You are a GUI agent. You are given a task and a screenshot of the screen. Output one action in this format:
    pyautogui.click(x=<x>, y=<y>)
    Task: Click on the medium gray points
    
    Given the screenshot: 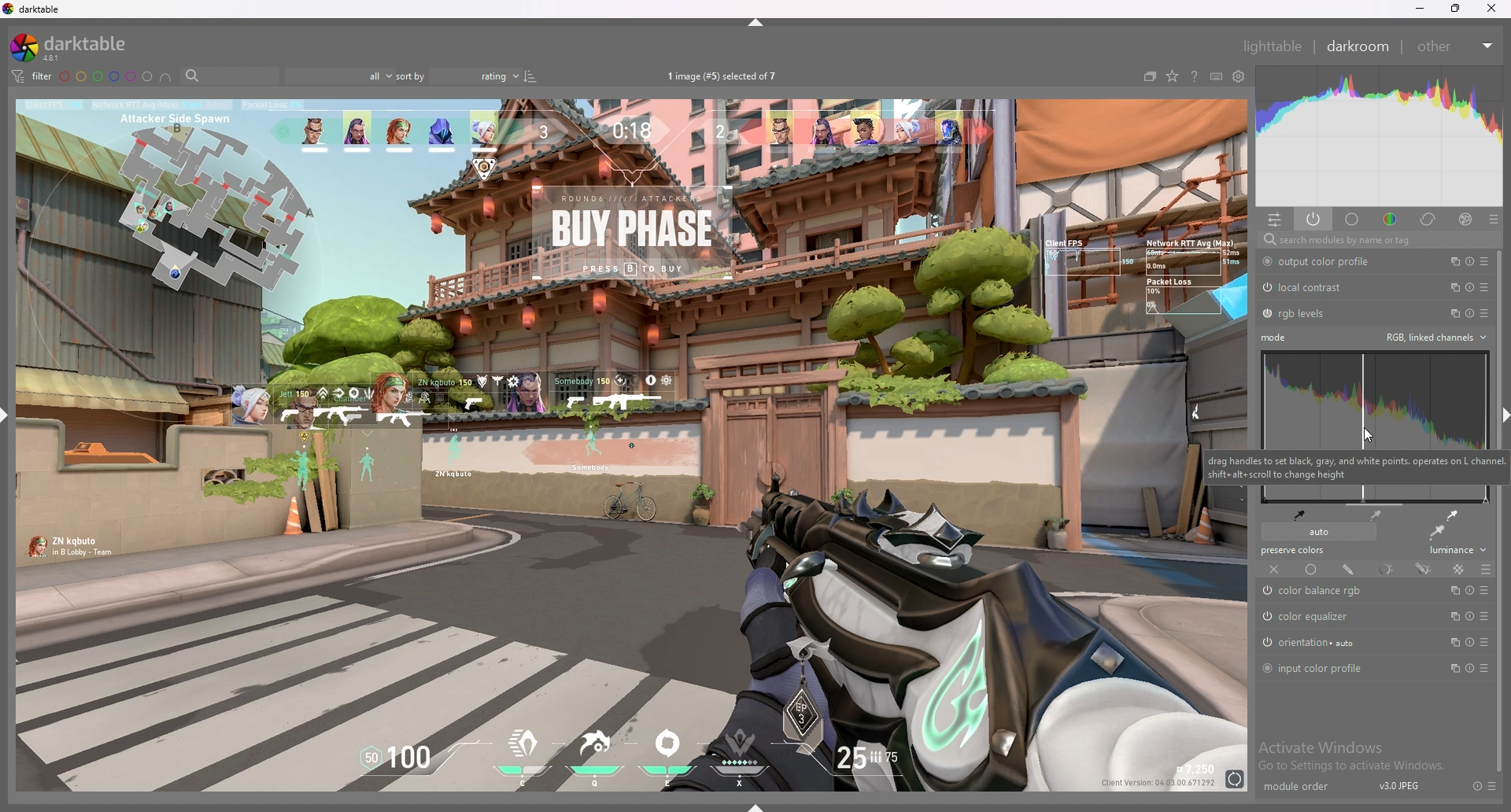 What is the action you would take?
    pyautogui.click(x=1377, y=515)
    